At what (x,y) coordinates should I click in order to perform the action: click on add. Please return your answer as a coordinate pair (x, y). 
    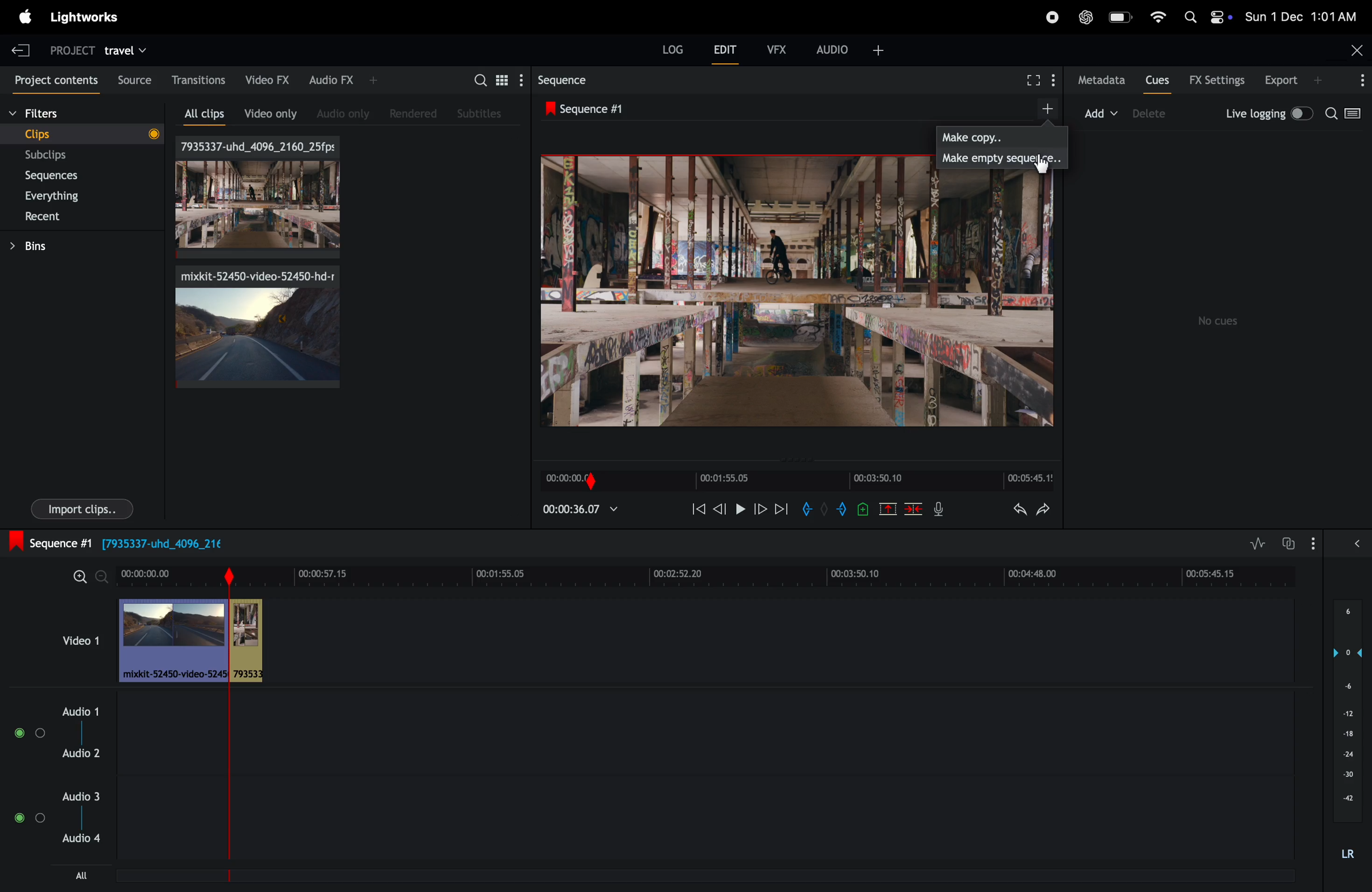
    Looking at the image, I should click on (1101, 111).